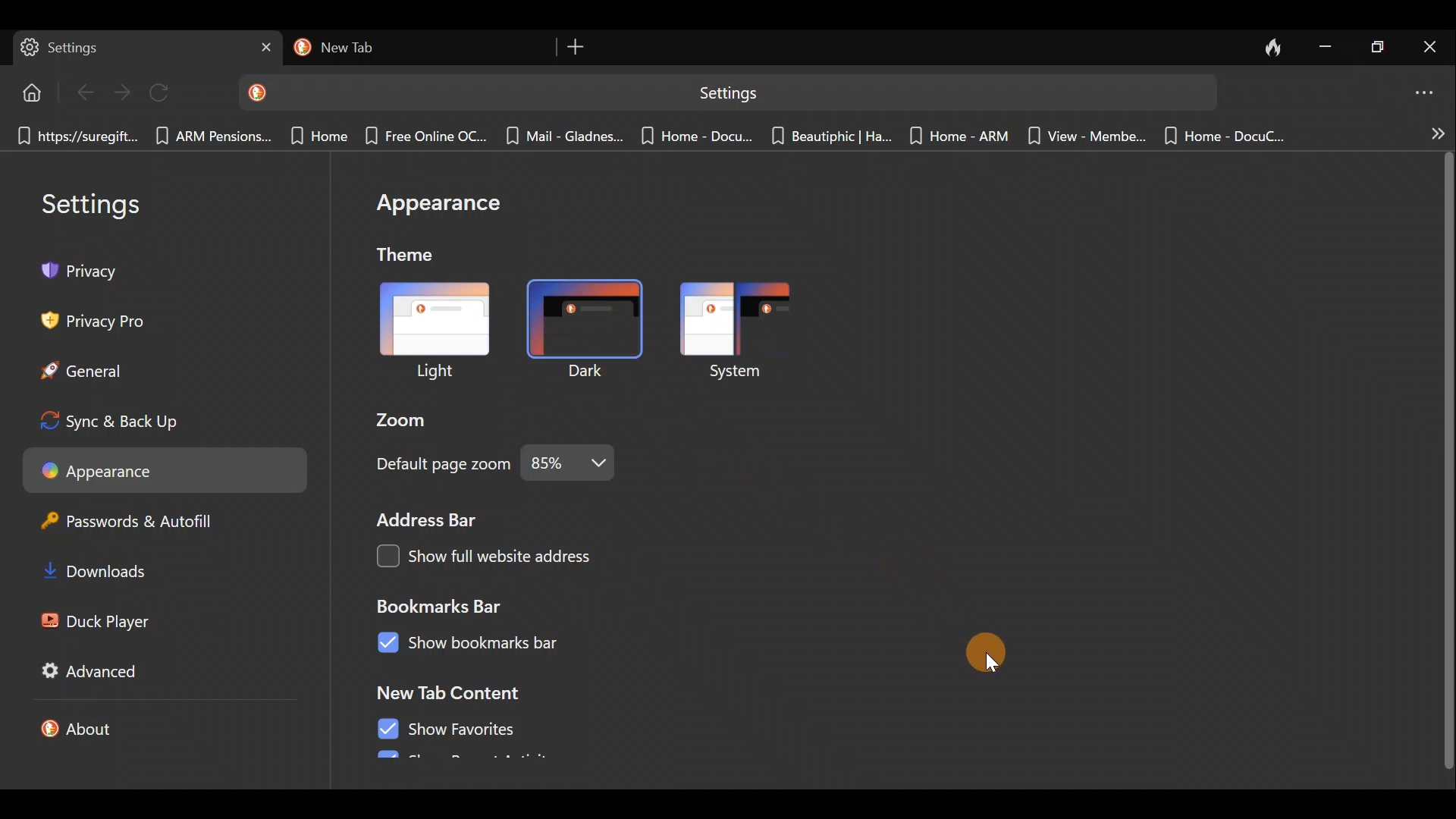 The image size is (1456, 819). Describe the element at coordinates (212, 137) in the screenshot. I see `Bookmark 2` at that location.